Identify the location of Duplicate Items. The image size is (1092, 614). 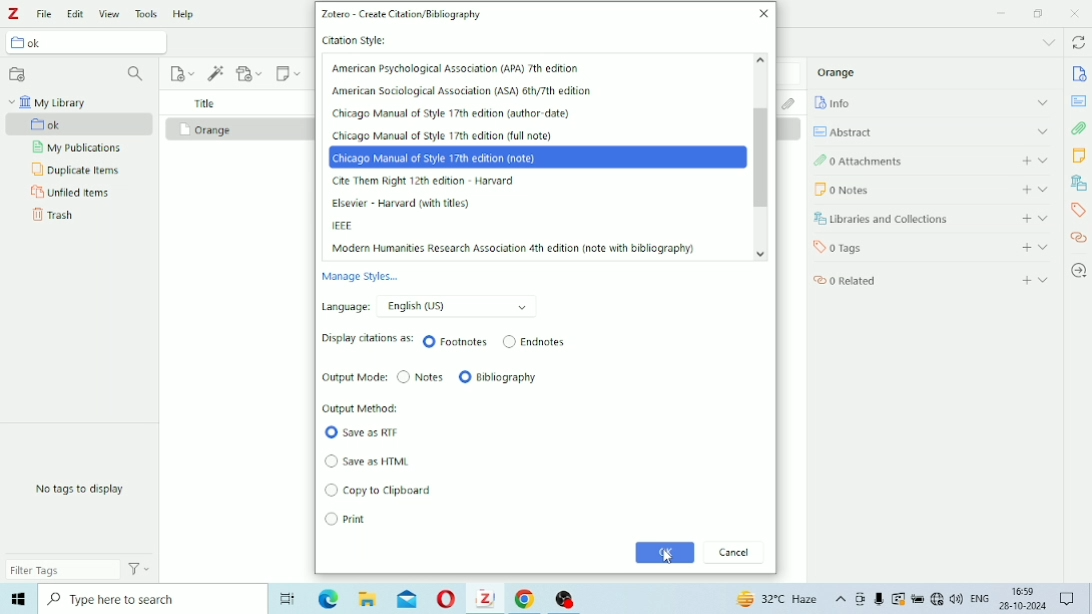
(78, 170).